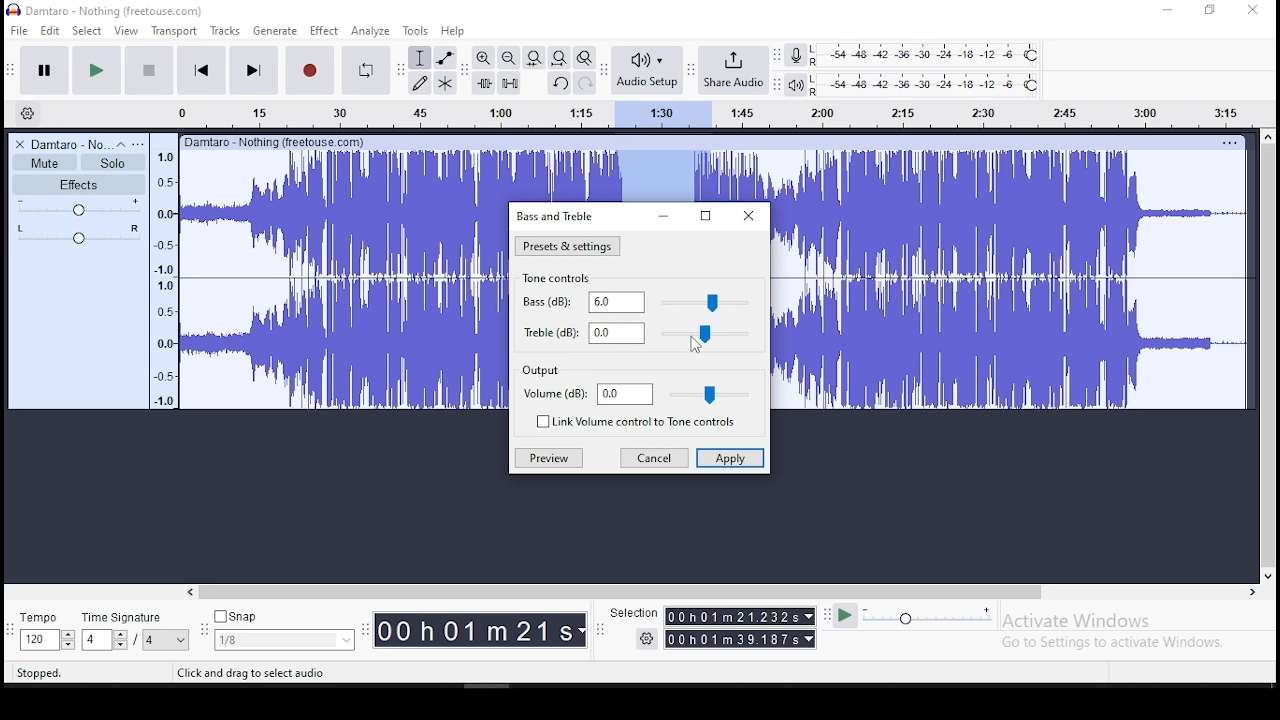 This screenshot has width=1280, height=720. What do you see at coordinates (323, 32) in the screenshot?
I see `effect` at bounding box center [323, 32].